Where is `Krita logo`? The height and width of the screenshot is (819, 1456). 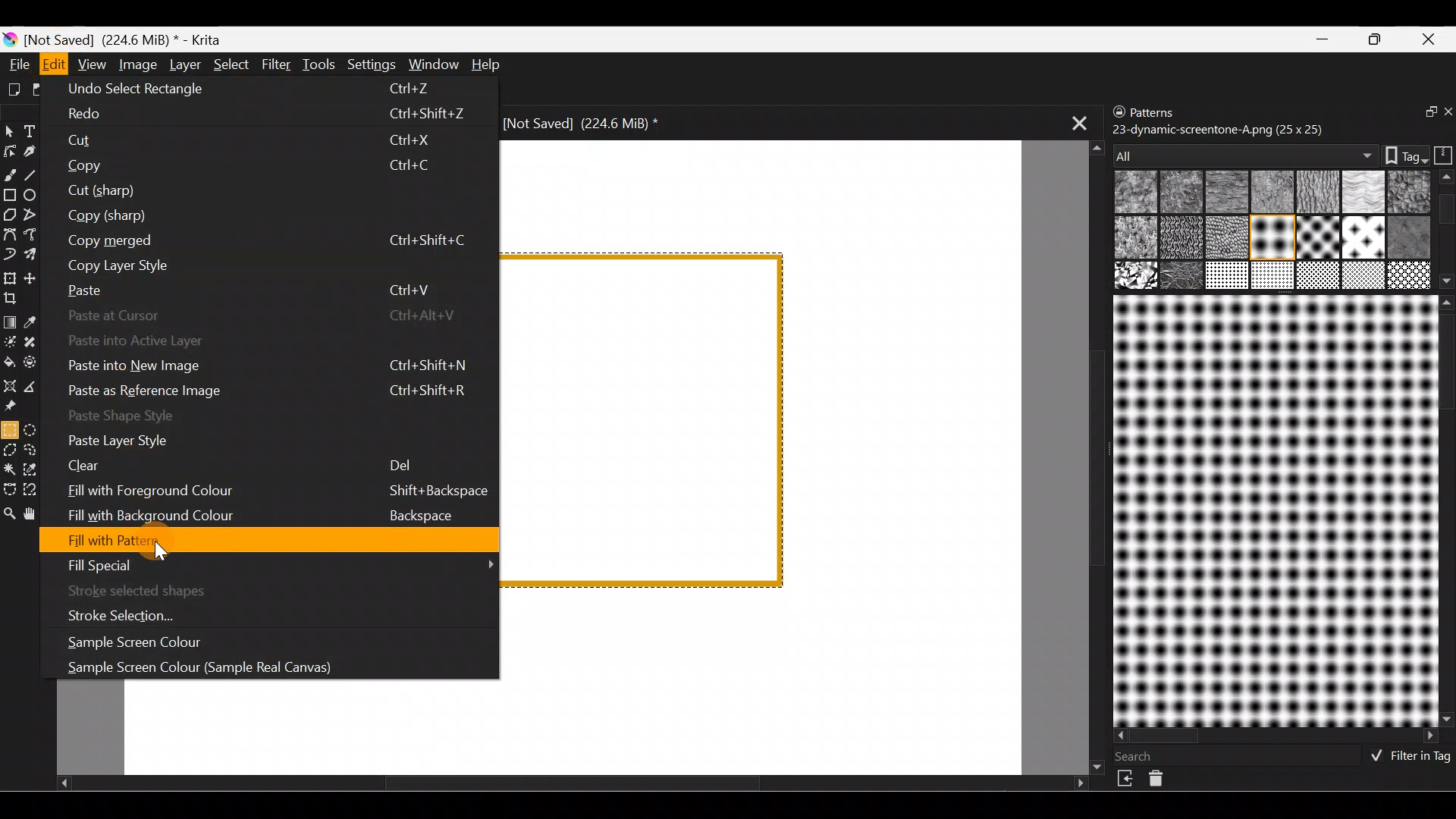 Krita logo is located at coordinates (9, 40).